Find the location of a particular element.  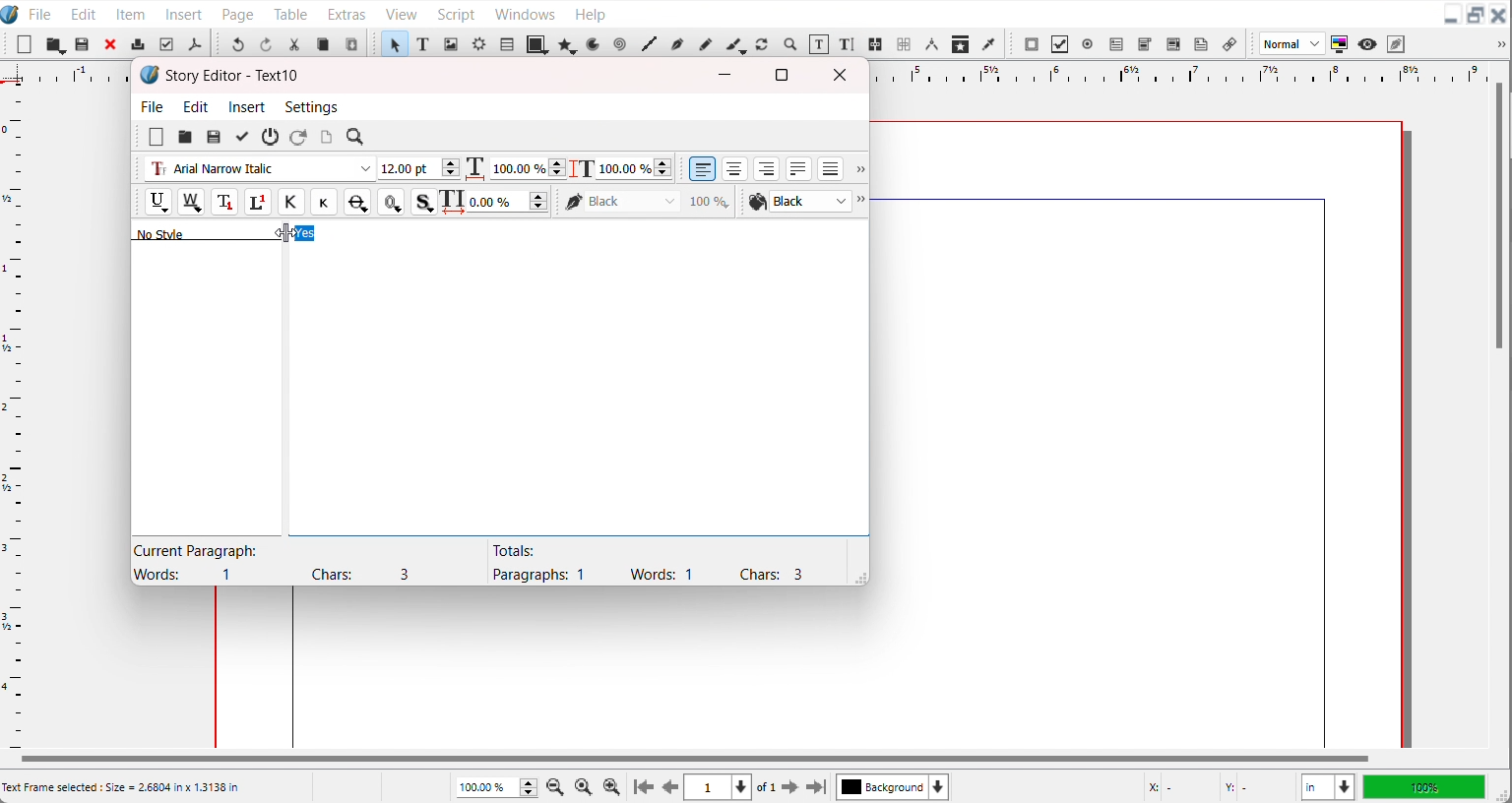

Text Color is located at coordinates (798, 202).